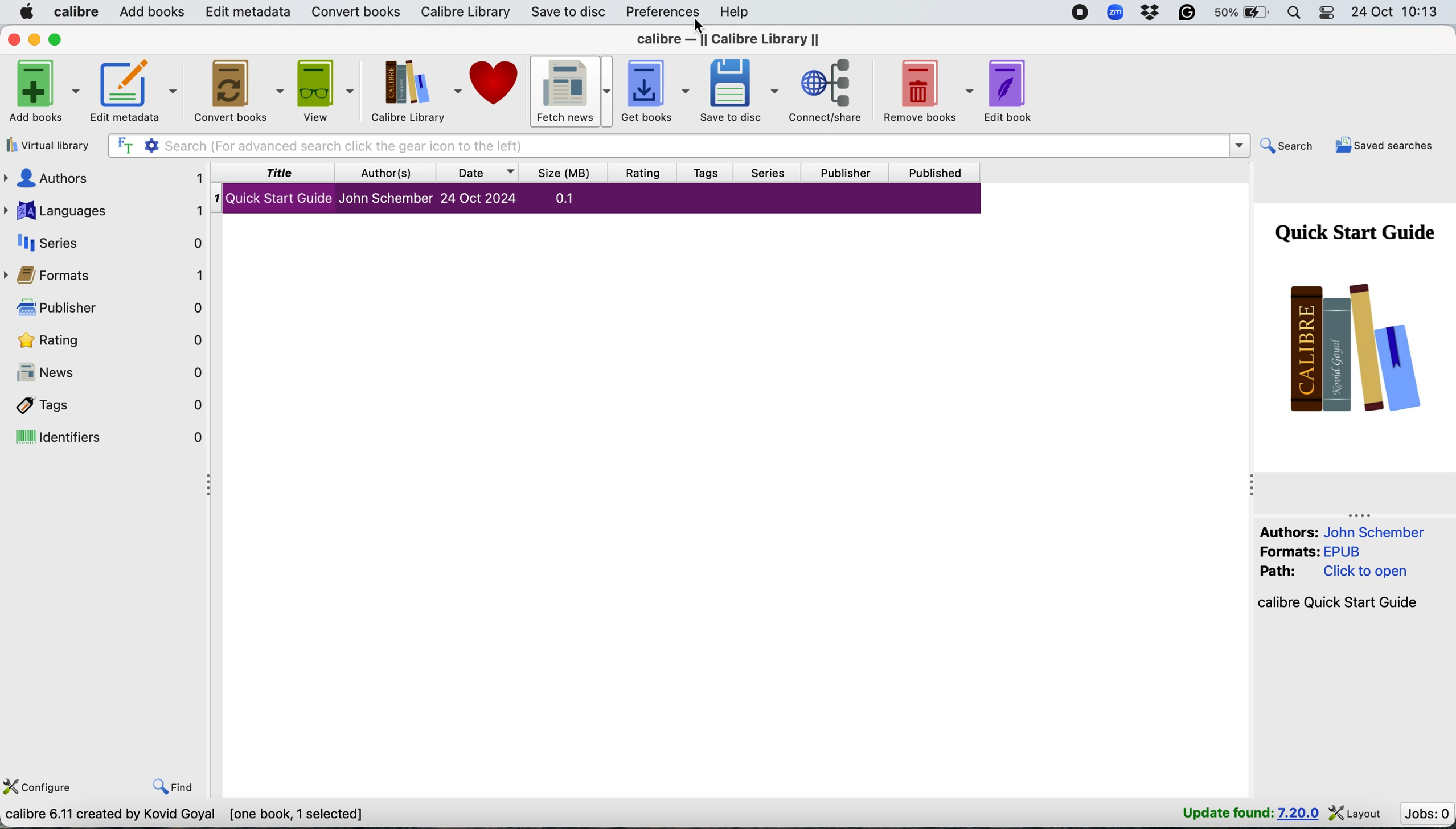 The width and height of the screenshot is (1456, 829). What do you see at coordinates (656, 94) in the screenshot?
I see `get books` at bounding box center [656, 94].